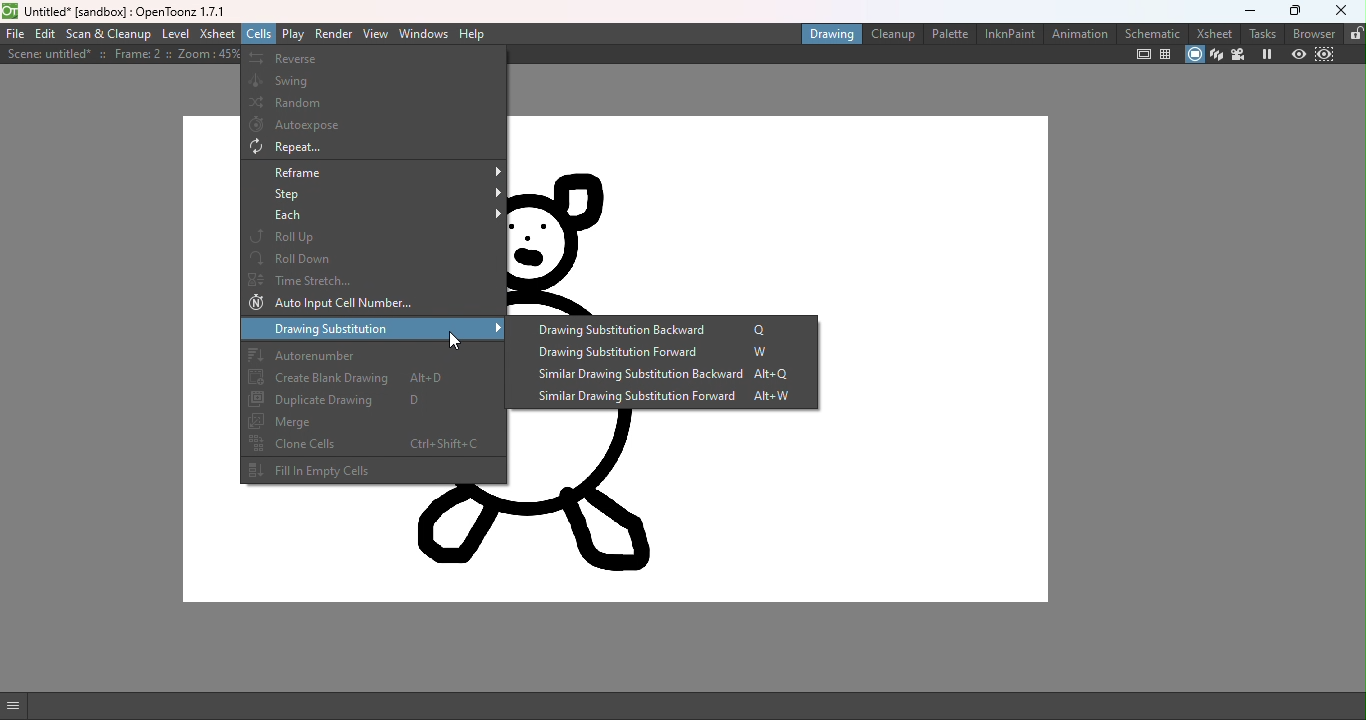 The width and height of the screenshot is (1366, 720). I want to click on untitled” [sandbox] : Upenioonz 1.7.1, so click(130, 10).